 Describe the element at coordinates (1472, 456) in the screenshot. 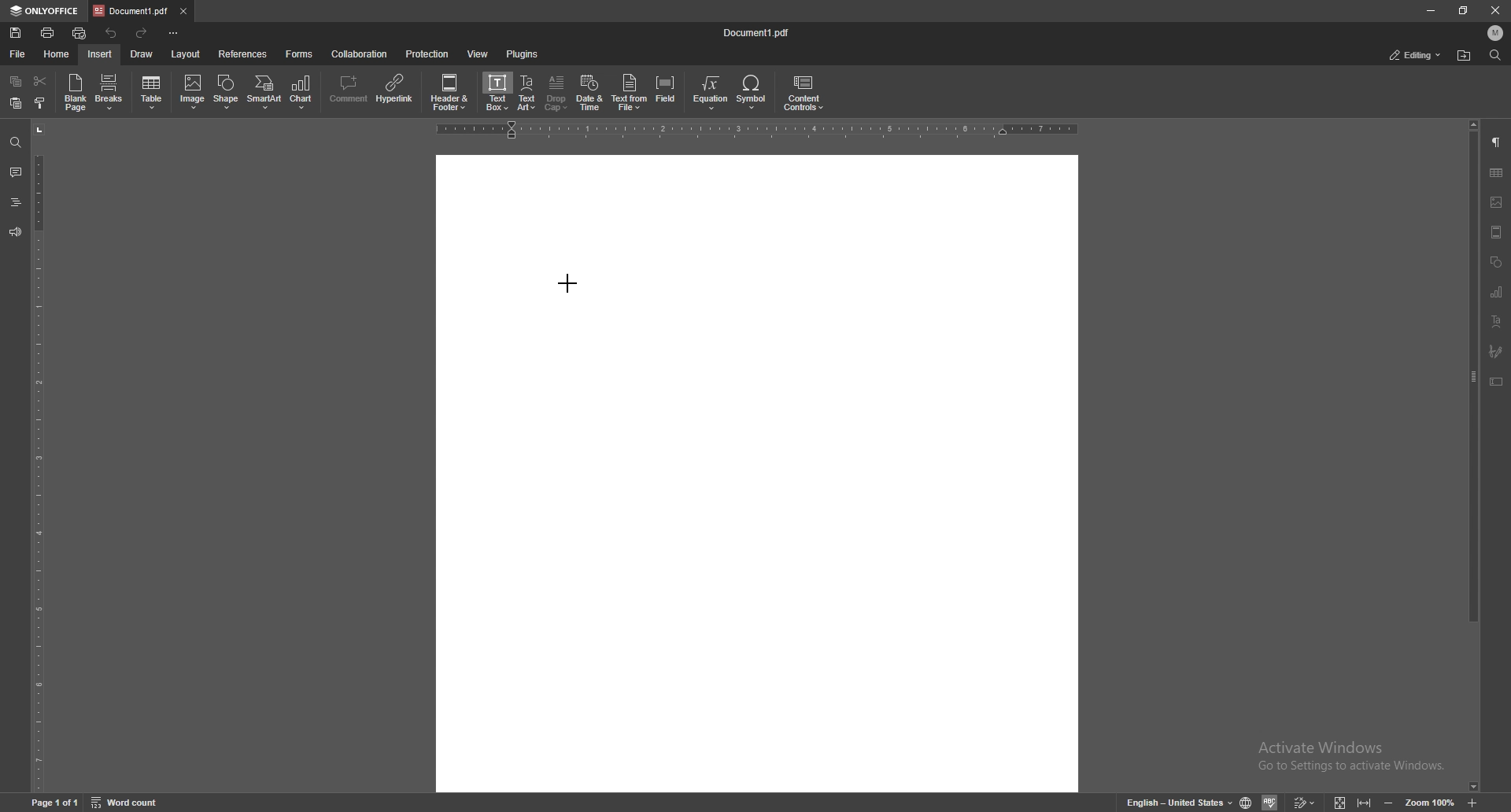

I see `scroll bar` at that location.